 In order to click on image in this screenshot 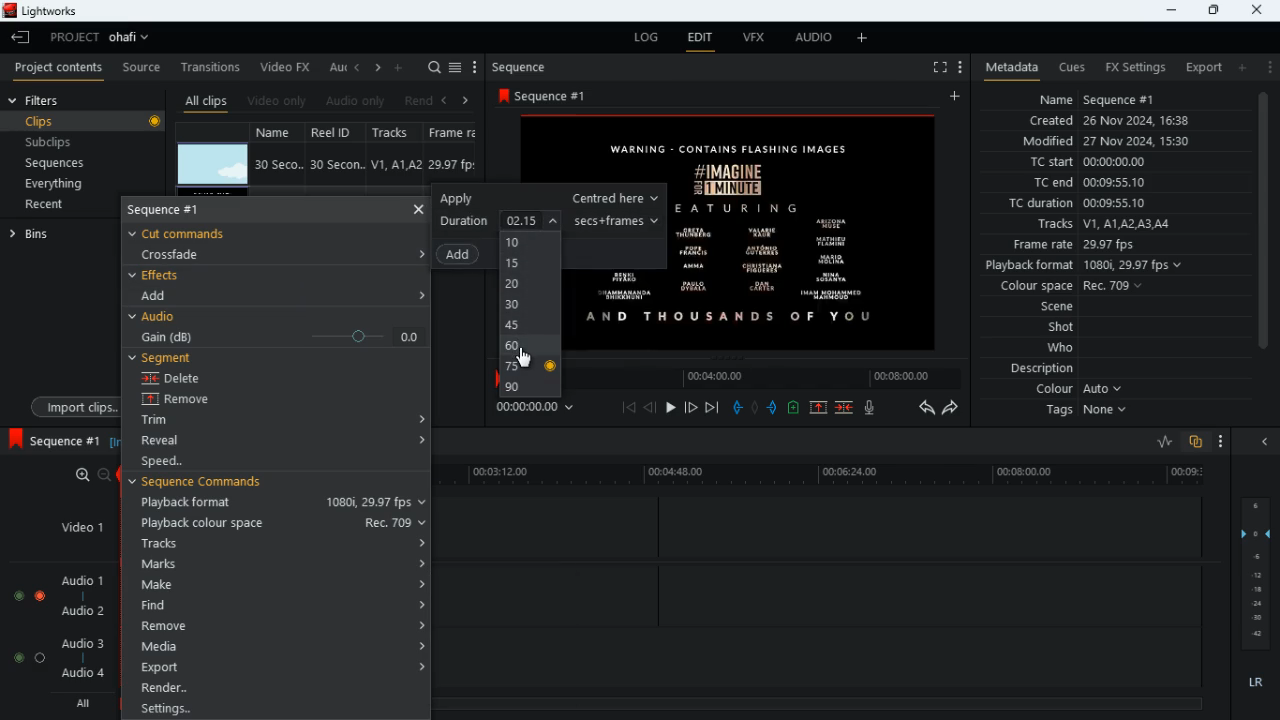, I will do `click(213, 165)`.